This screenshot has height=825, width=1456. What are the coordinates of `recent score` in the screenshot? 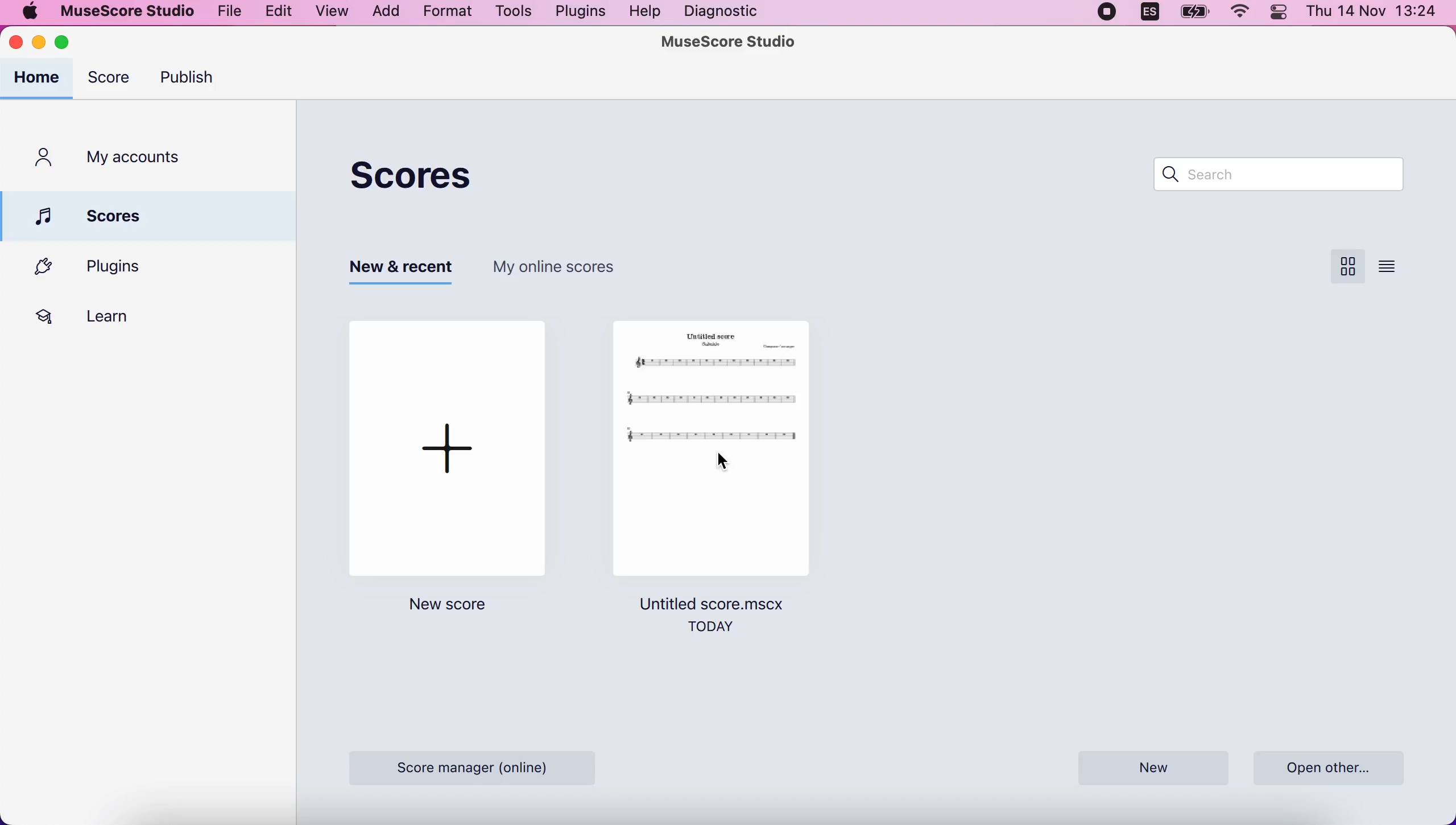 It's located at (713, 455).